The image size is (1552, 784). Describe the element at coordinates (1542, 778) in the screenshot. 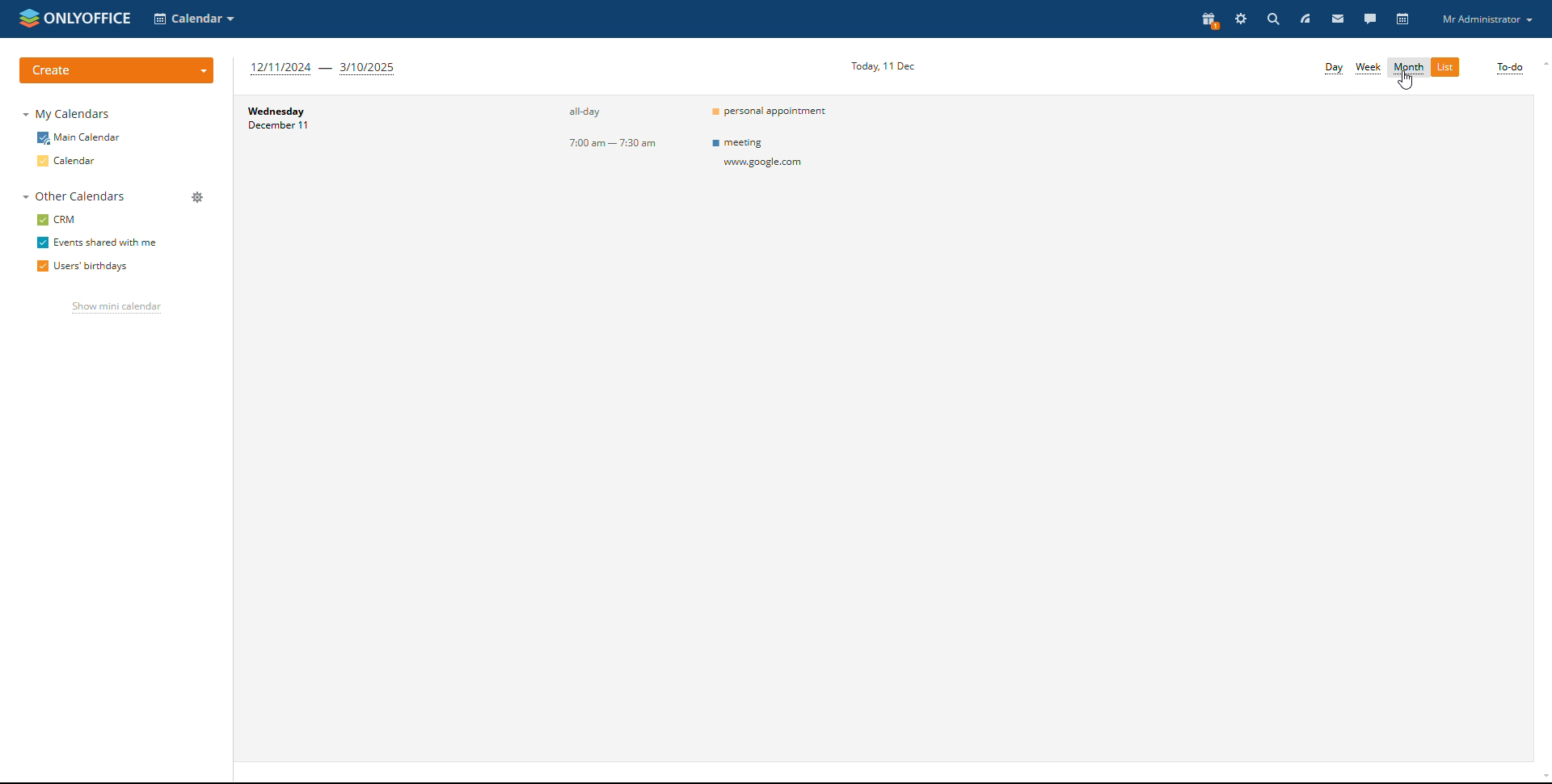

I see `scroll down` at that location.